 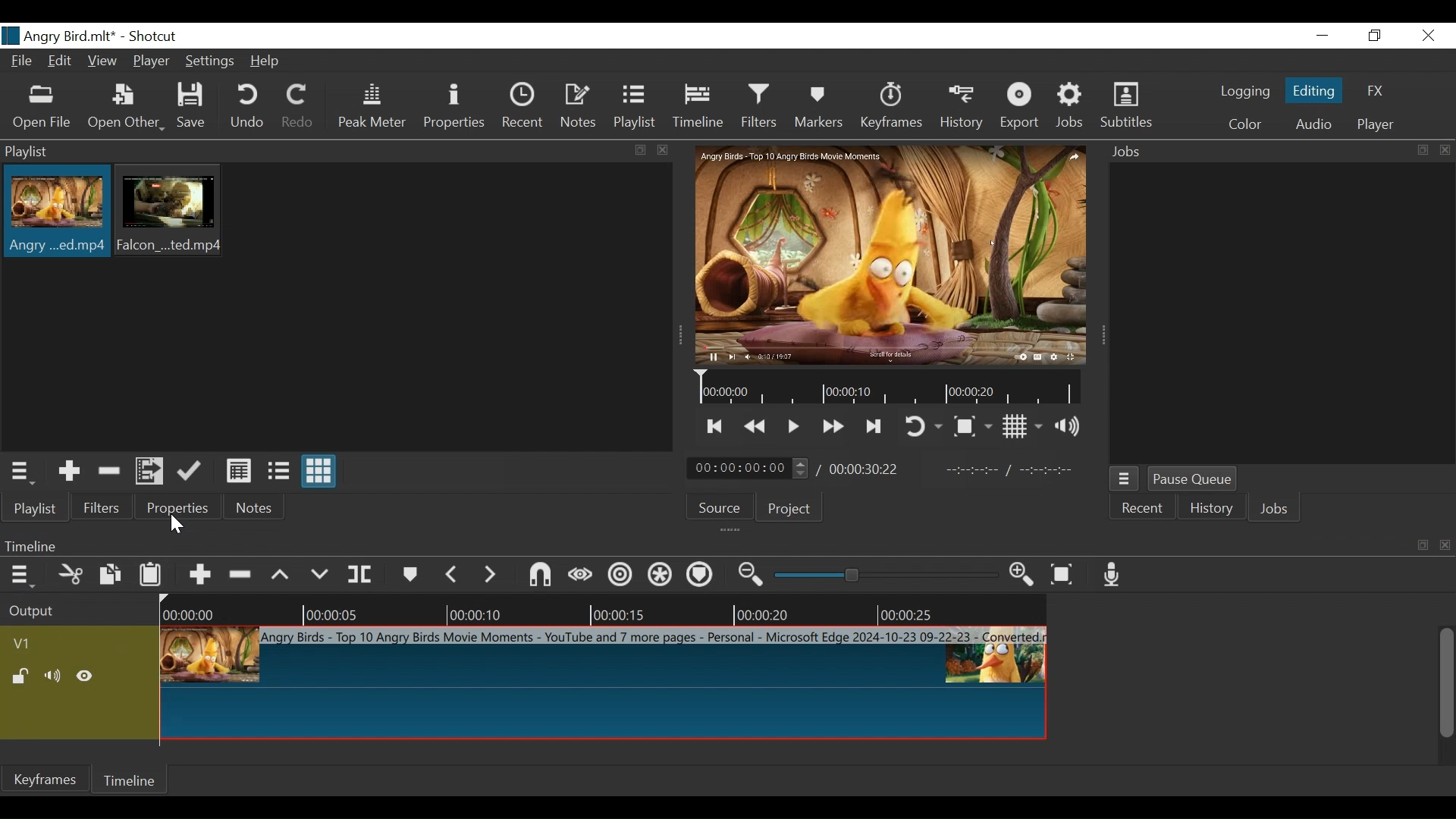 I want to click on Ripple all tracks, so click(x=661, y=577).